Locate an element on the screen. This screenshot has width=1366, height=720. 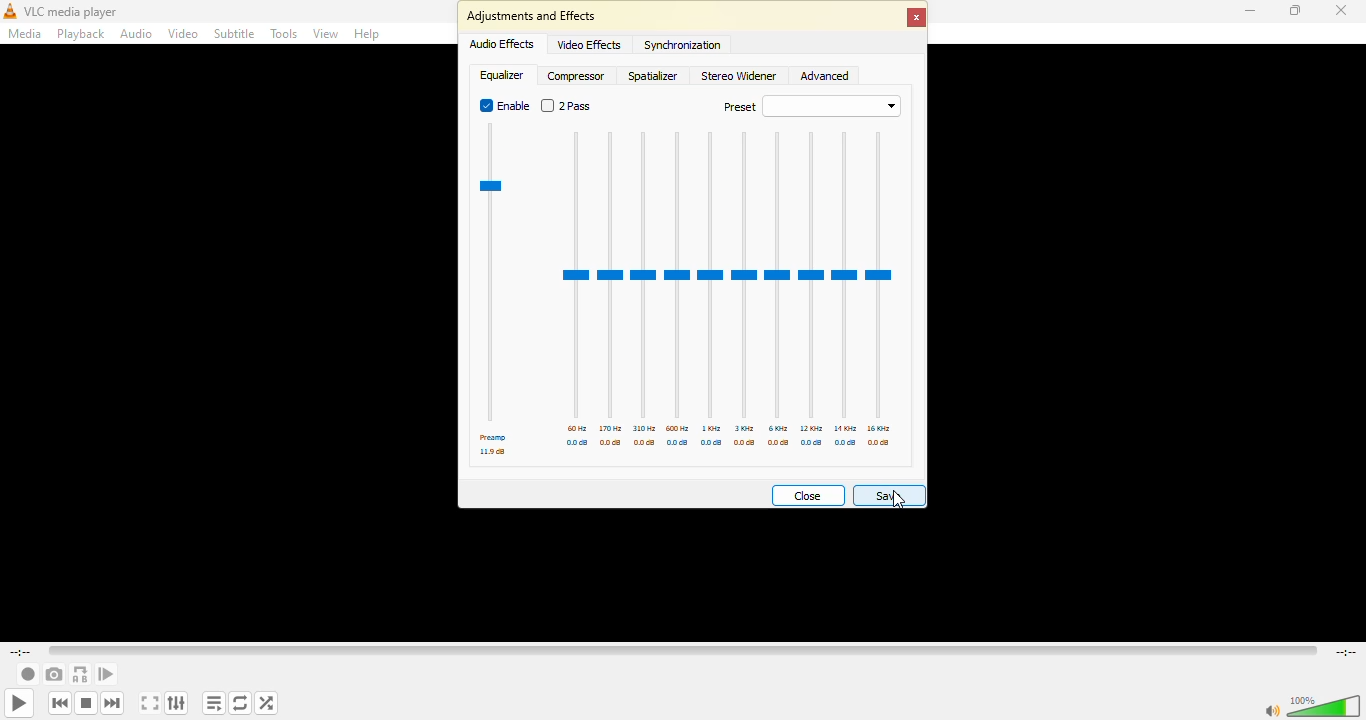
toggle playlist is located at coordinates (213, 703).